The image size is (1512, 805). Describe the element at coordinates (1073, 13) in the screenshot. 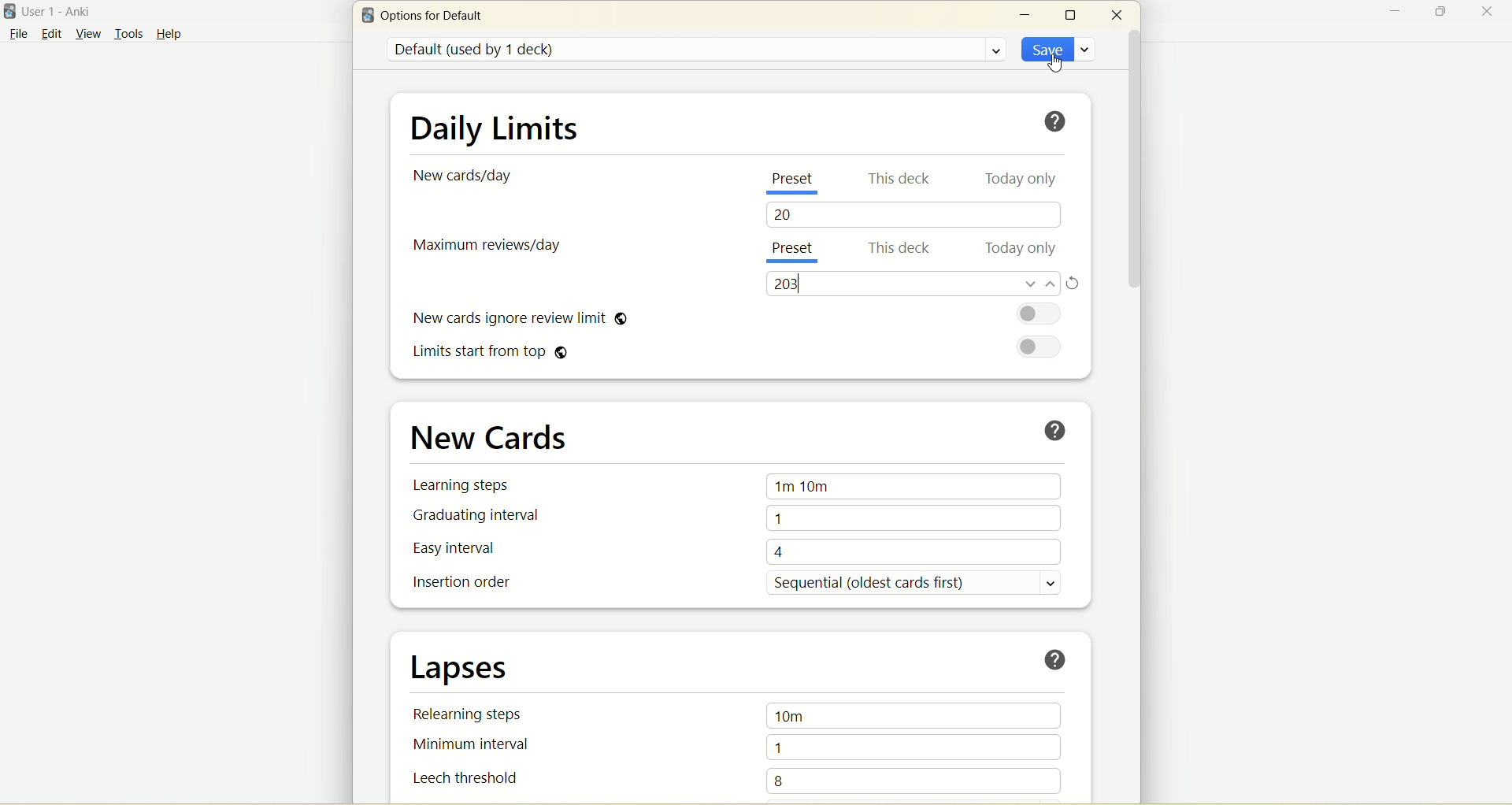

I see `maximize` at that location.